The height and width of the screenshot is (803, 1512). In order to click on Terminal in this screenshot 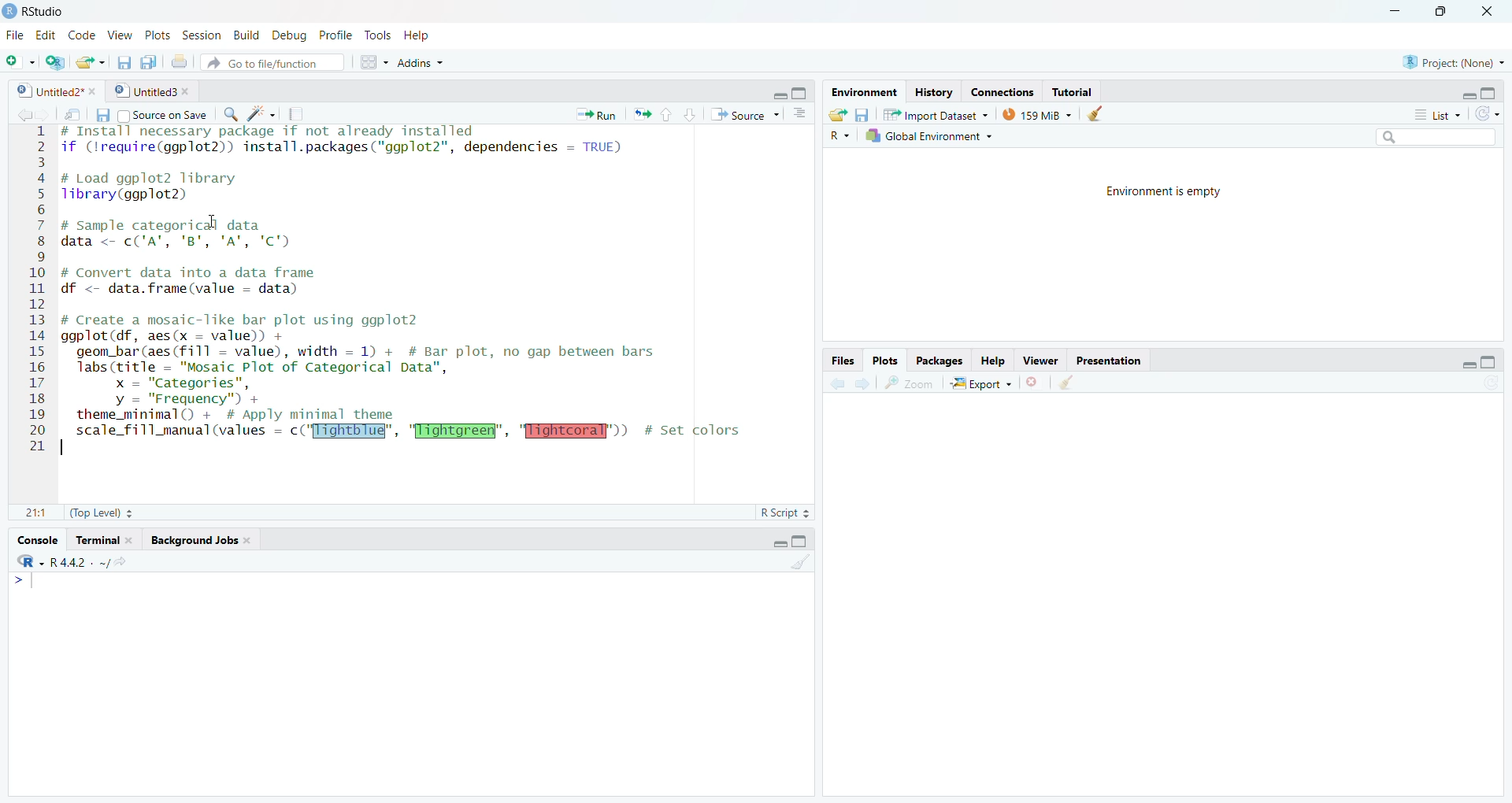, I will do `click(104, 540)`.